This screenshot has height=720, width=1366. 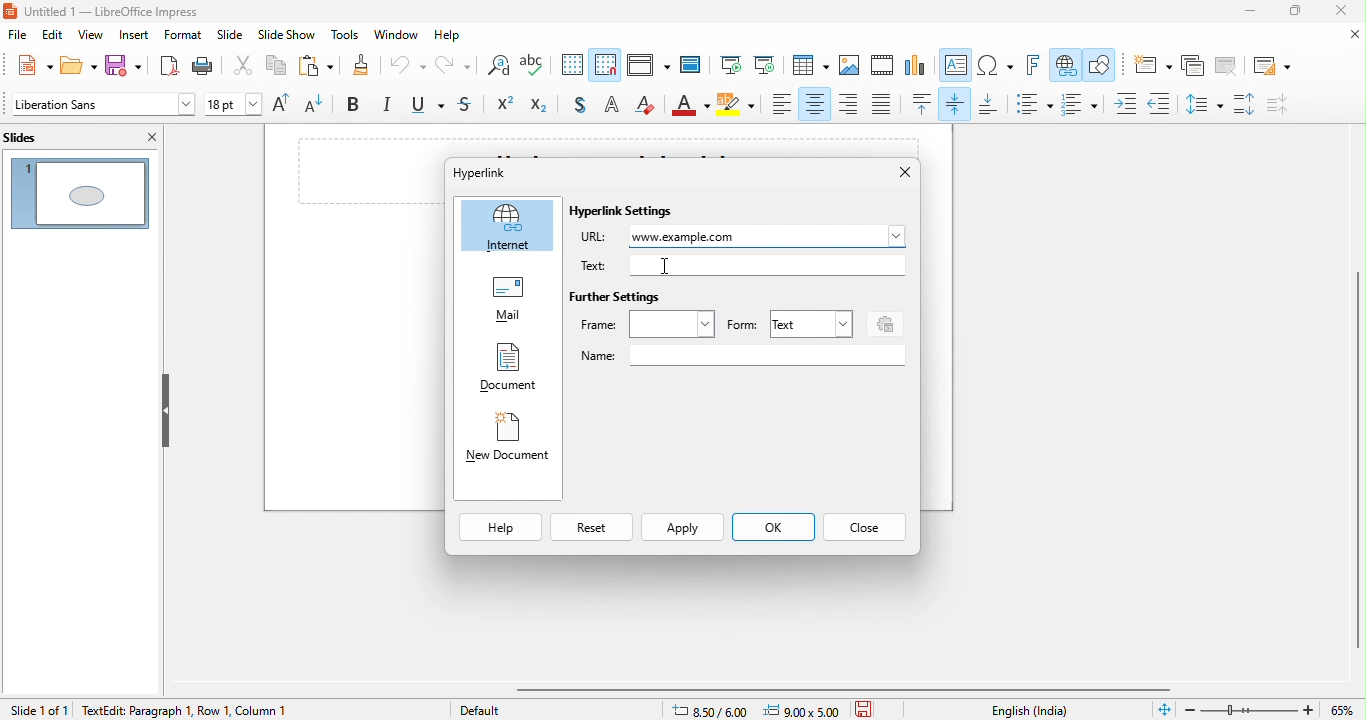 What do you see at coordinates (810, 66) in the screenshot?
I see `table` at bounding box center [810, 66].